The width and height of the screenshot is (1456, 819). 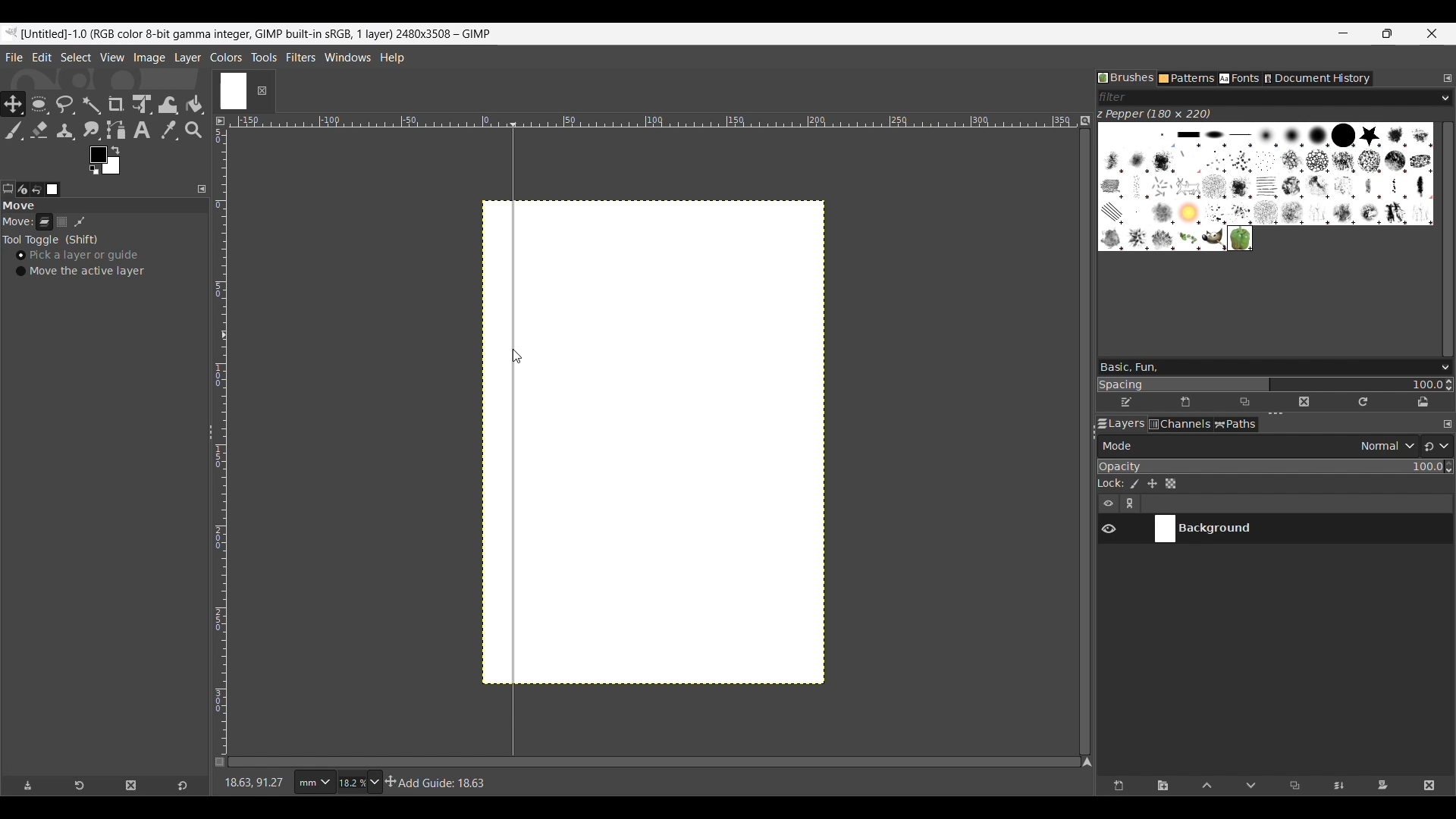 What do you see at coordinates (187, 58) in the screenshot?
I see `Layer menu` at bounding box center [187, 58].